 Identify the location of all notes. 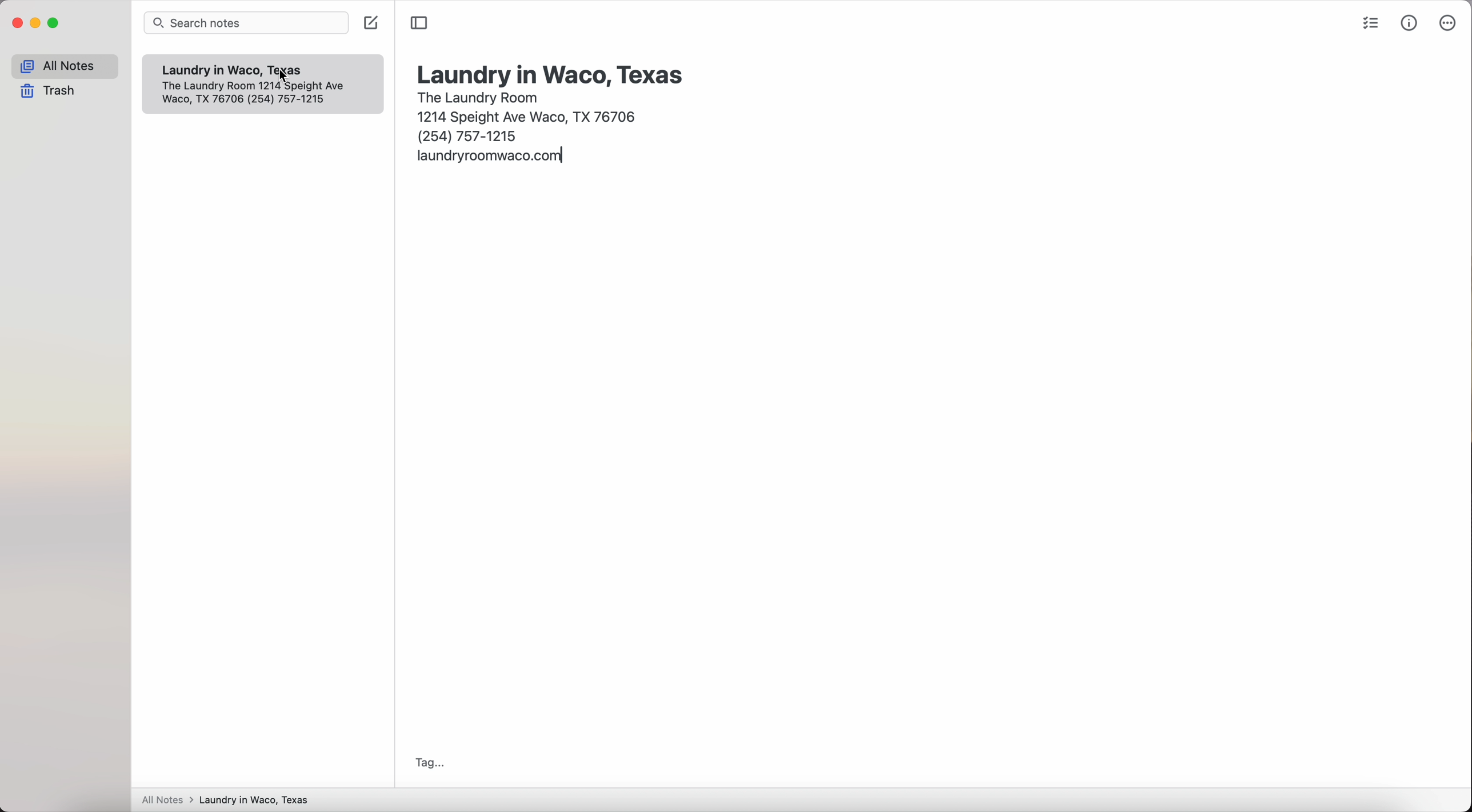
(65, 66).